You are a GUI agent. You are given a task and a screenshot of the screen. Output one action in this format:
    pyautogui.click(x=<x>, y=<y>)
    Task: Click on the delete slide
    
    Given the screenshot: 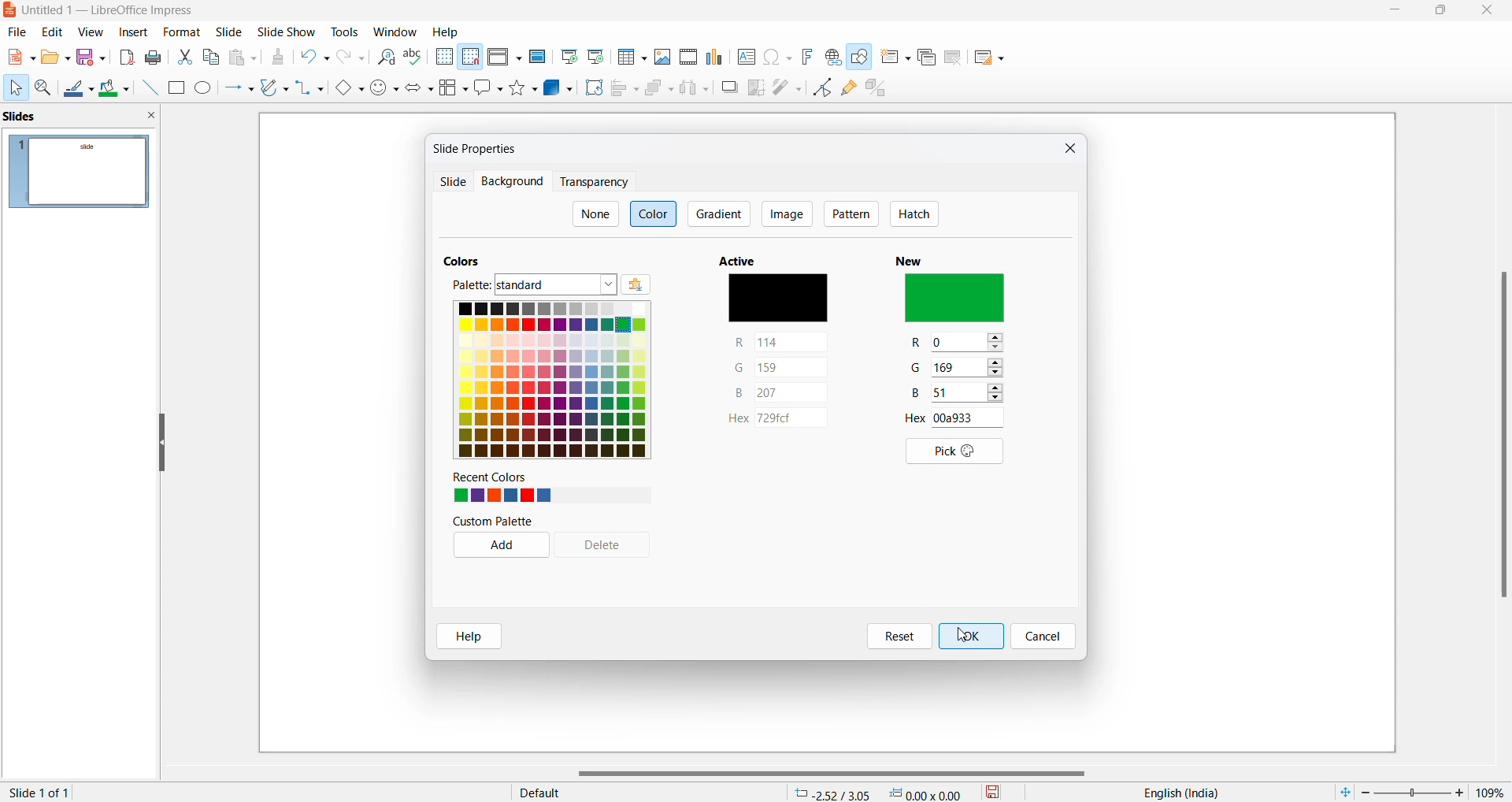 What is the action you would take?
    pyautogui.click(x=953, y=61)
    